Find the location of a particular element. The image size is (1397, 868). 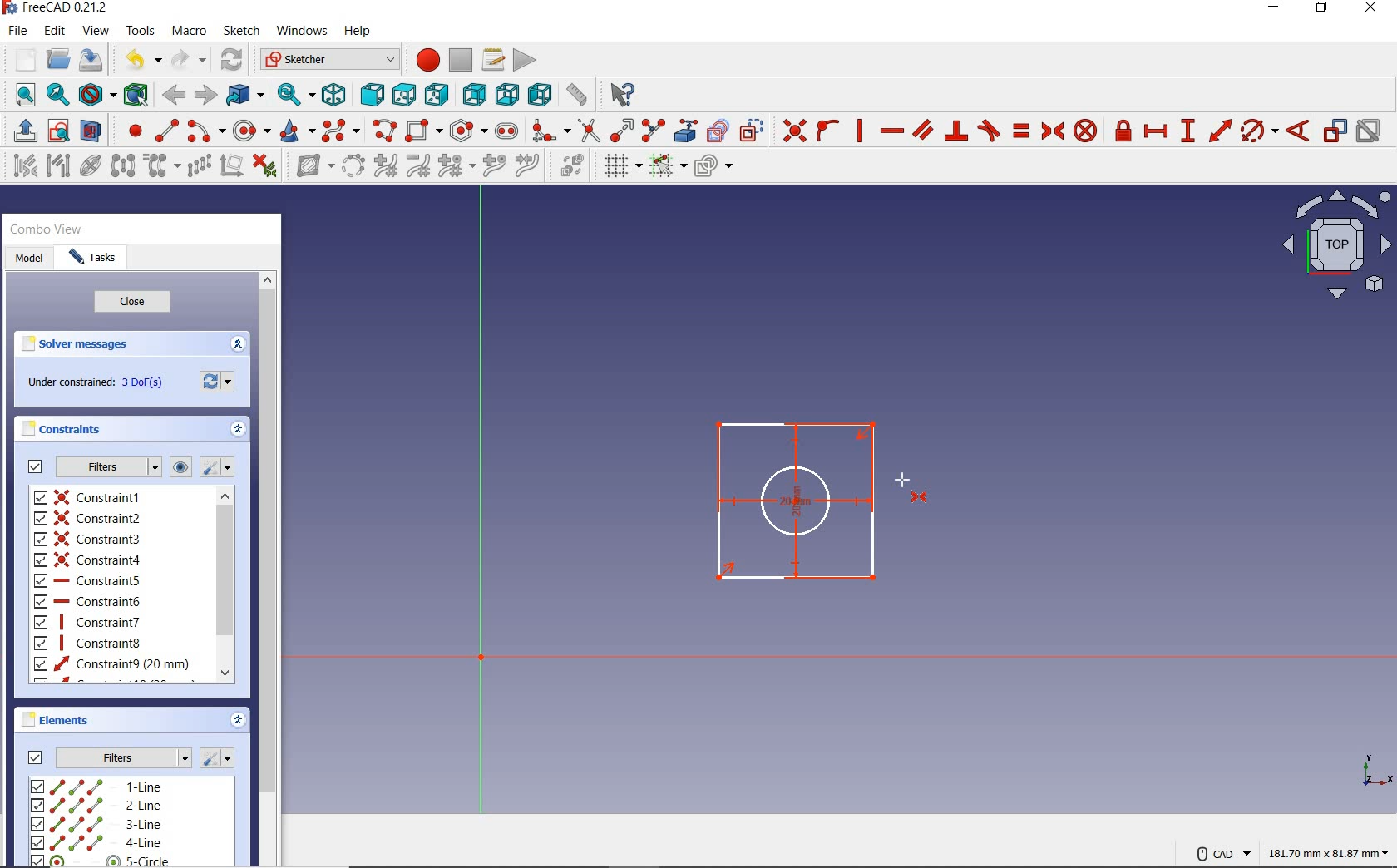

show or hide all listed constraints in 3D view is located at coordinates (181, 466).